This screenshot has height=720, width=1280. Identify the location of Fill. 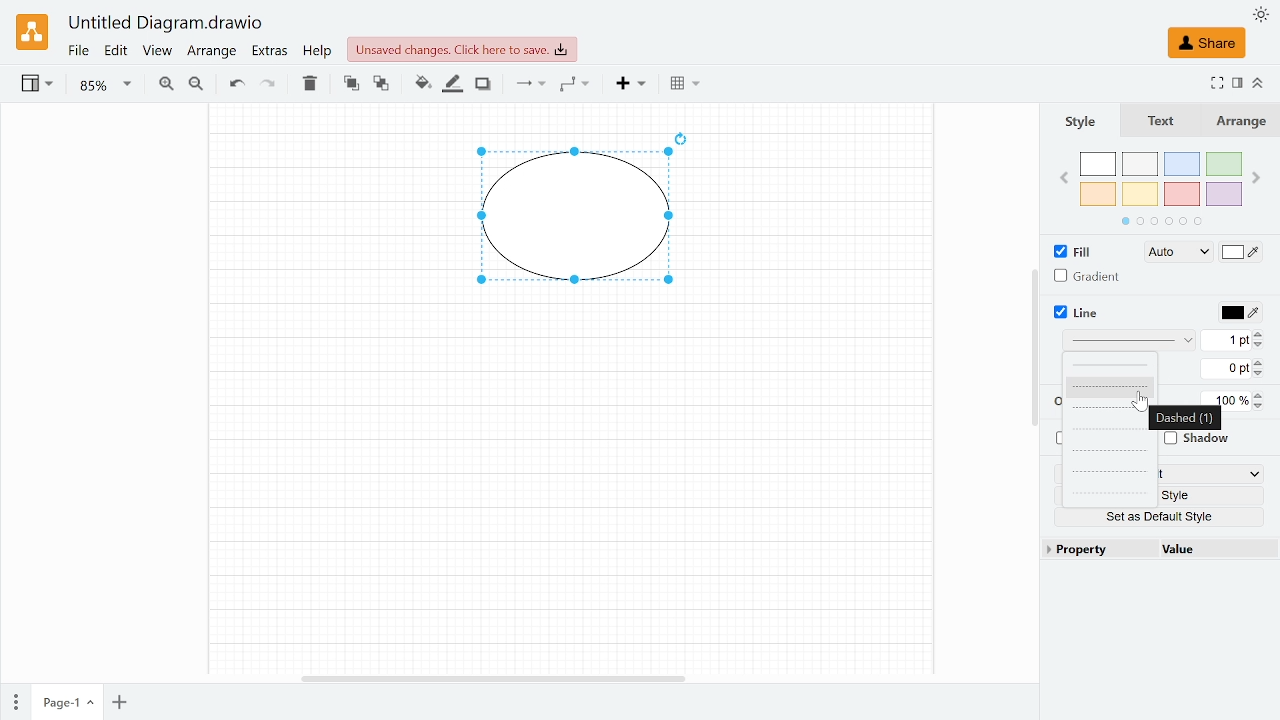
(1070, 251).